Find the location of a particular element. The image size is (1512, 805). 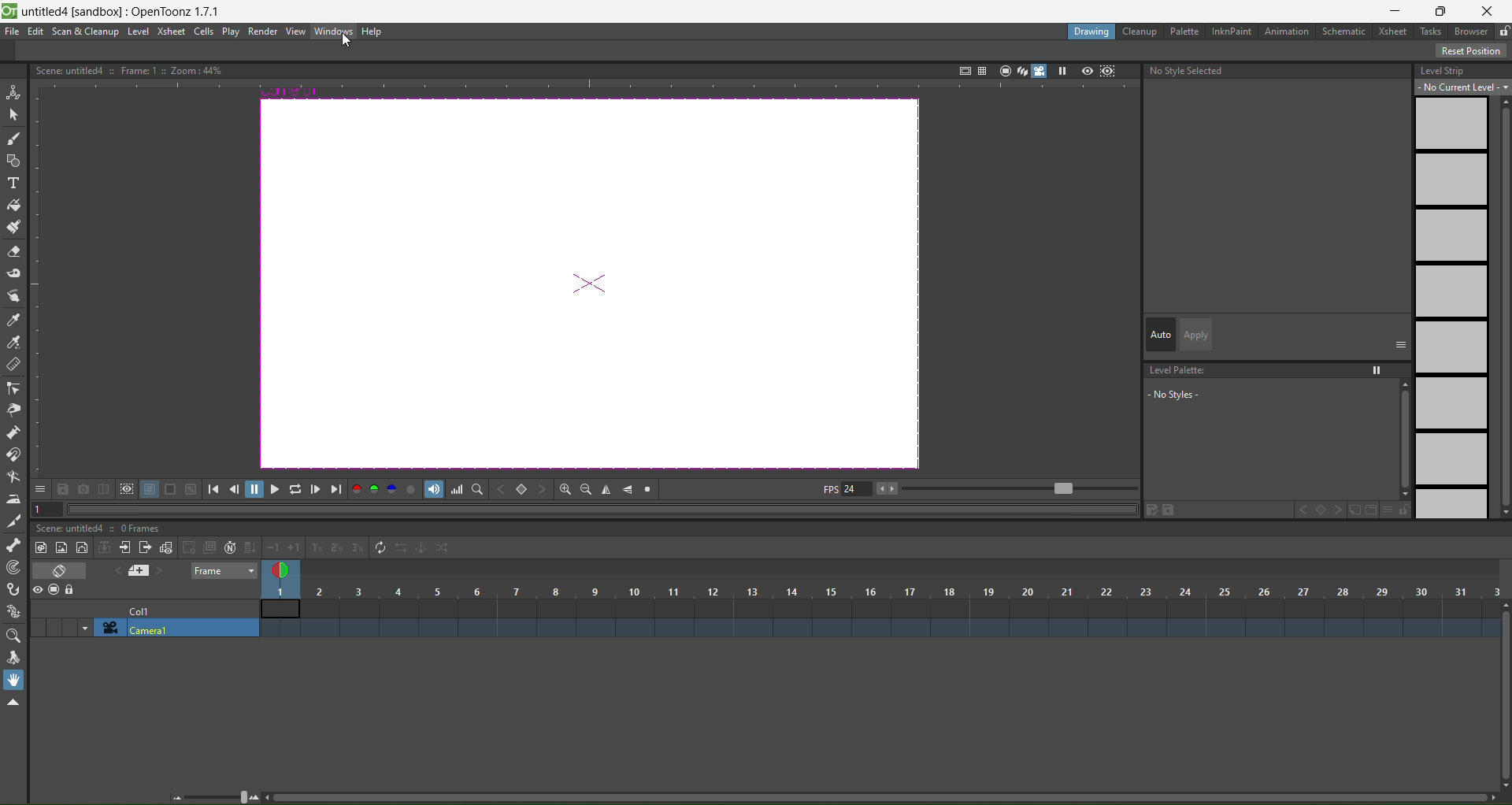

0 frames is located at coordinates (145, 529).